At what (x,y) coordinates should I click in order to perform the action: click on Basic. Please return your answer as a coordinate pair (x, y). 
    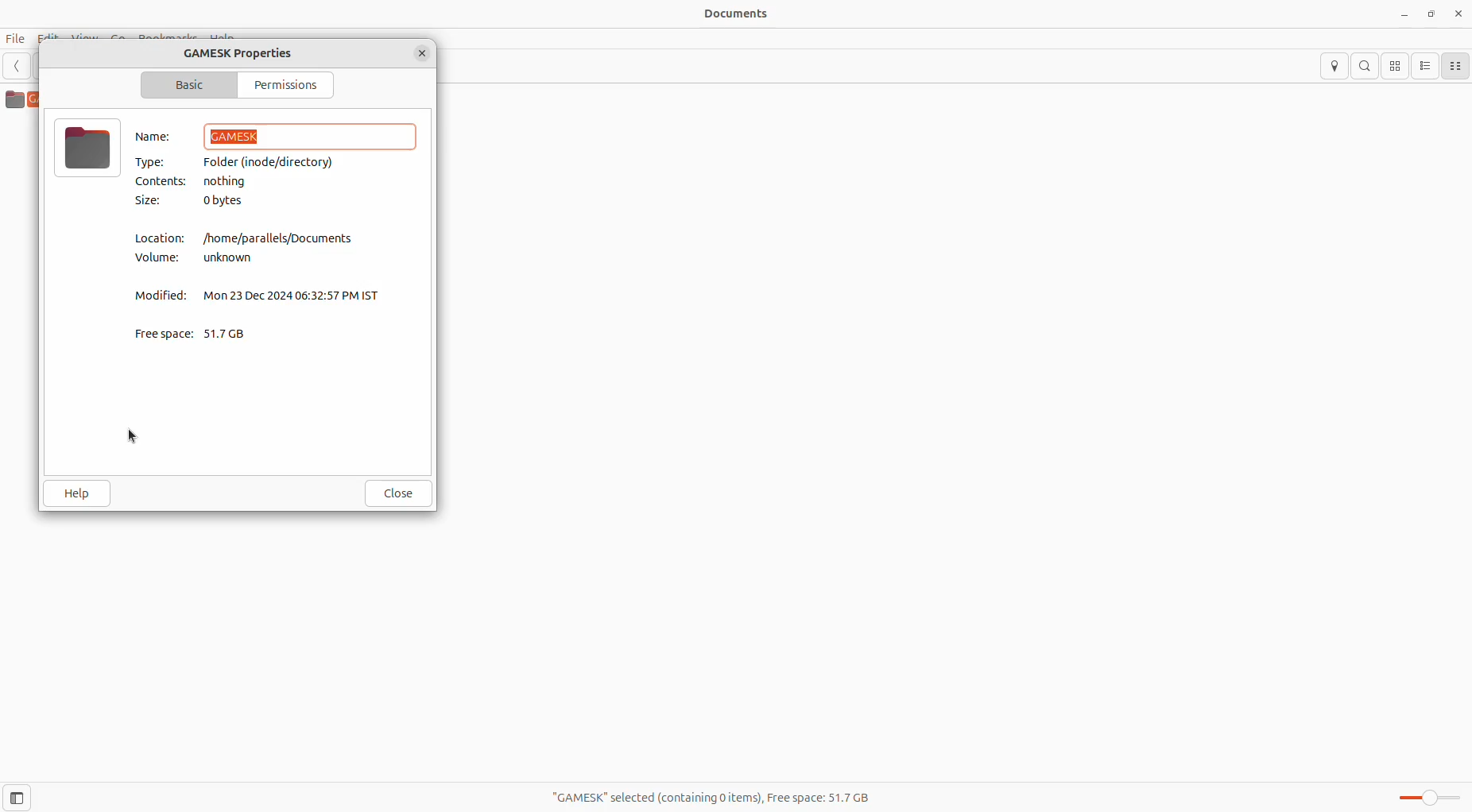
    Looking at the image, I should click on (187, 83).